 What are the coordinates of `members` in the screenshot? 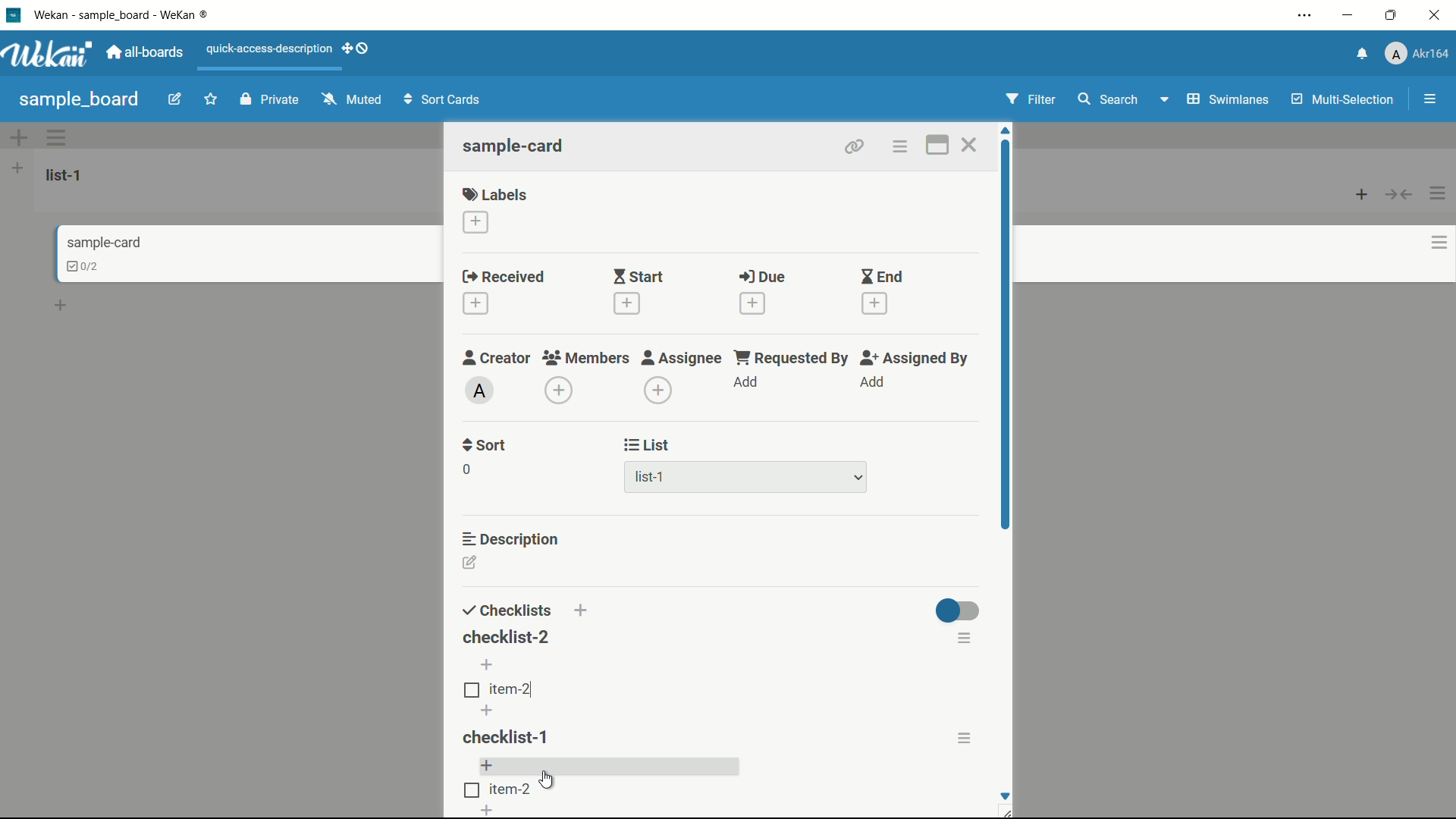 It's located at (585, 359).